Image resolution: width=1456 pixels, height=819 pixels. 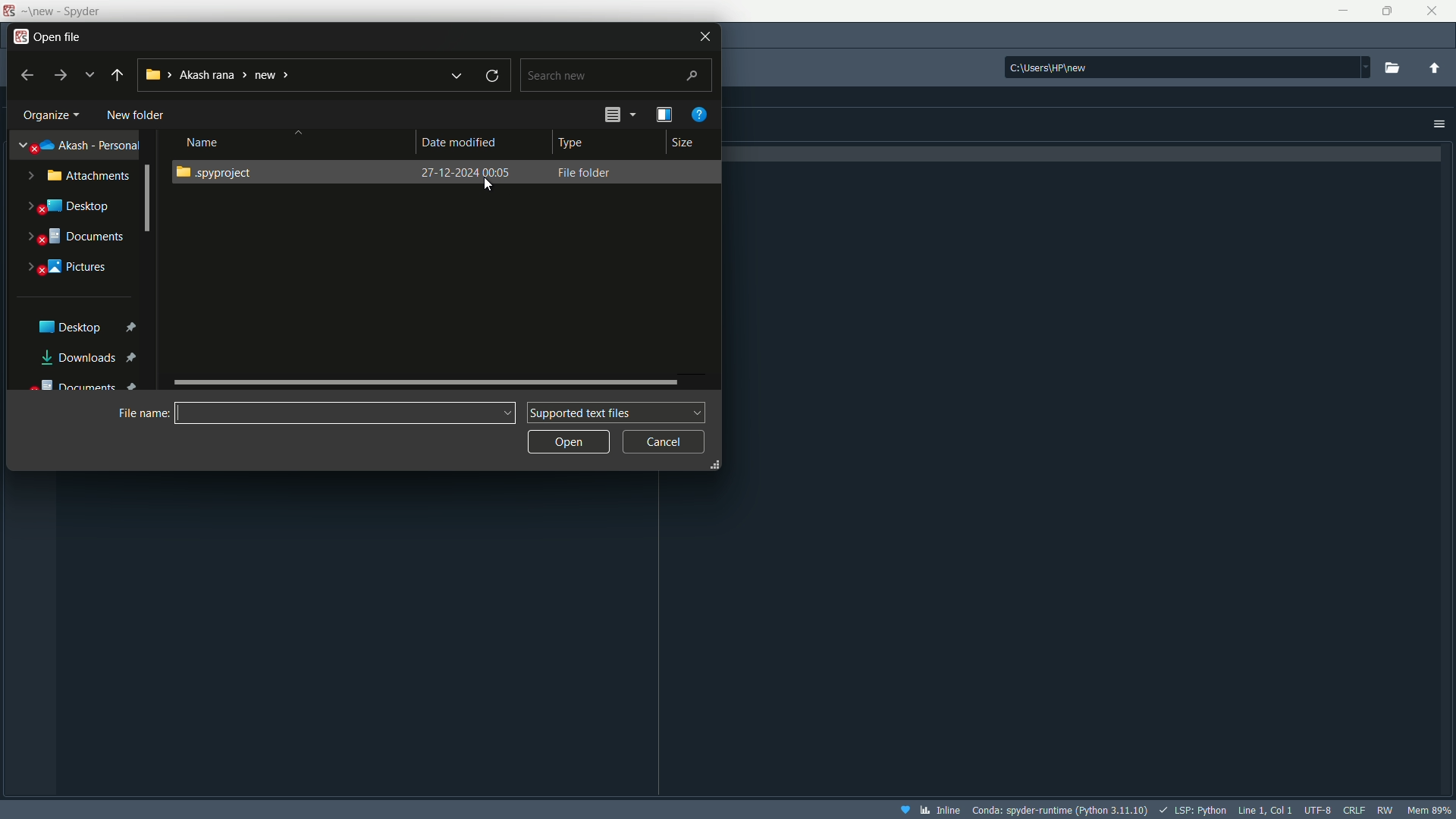 I want to click on Pictures, so click(x=74, y=269).